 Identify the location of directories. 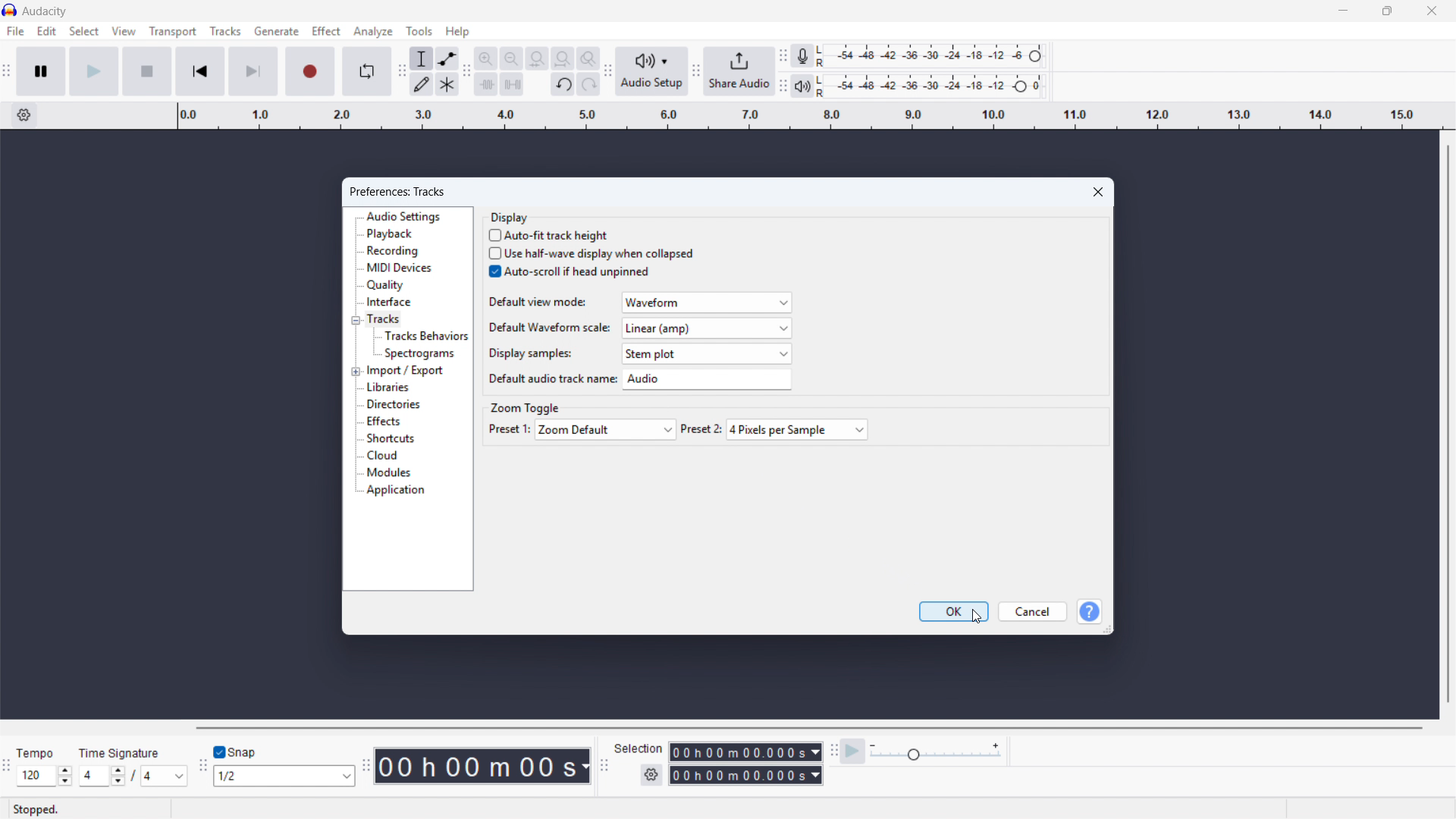
(393, 404).